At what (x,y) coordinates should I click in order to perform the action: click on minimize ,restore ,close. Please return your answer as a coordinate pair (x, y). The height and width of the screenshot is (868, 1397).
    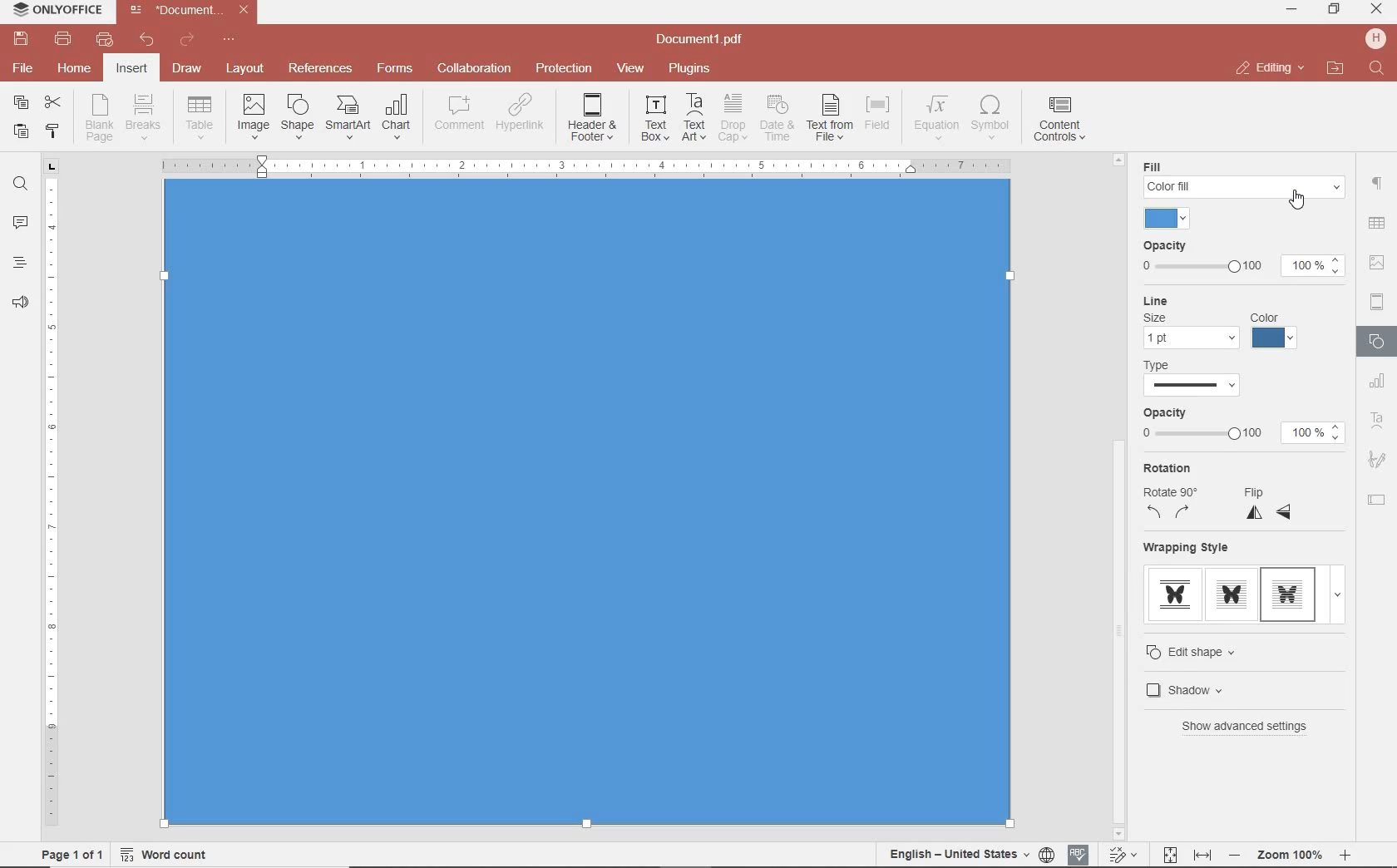
    Looking at the image, I should click on (1380, 10).